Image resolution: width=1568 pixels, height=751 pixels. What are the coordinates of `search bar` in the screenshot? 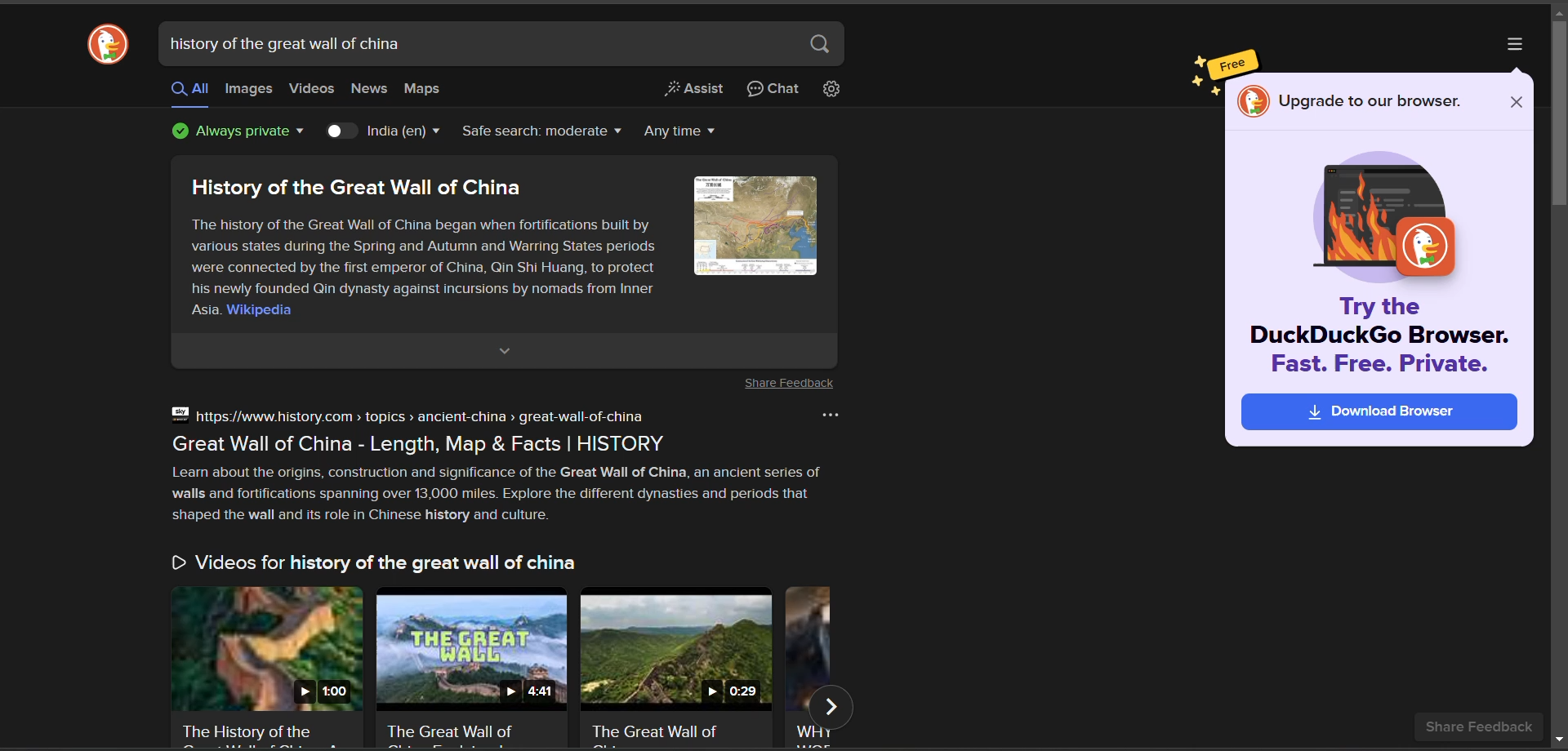 It's located at (479, 43).